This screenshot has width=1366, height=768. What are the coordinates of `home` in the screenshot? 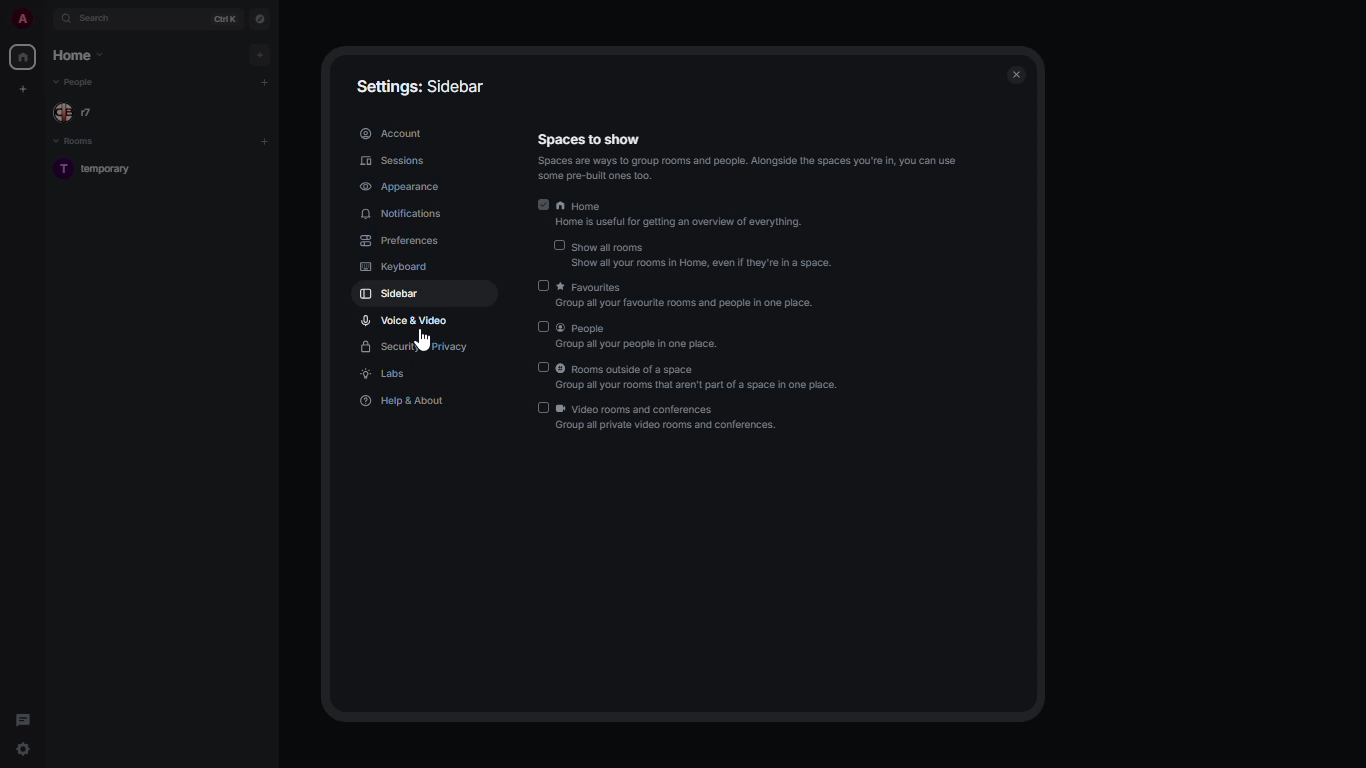 It's located at (78, 54).